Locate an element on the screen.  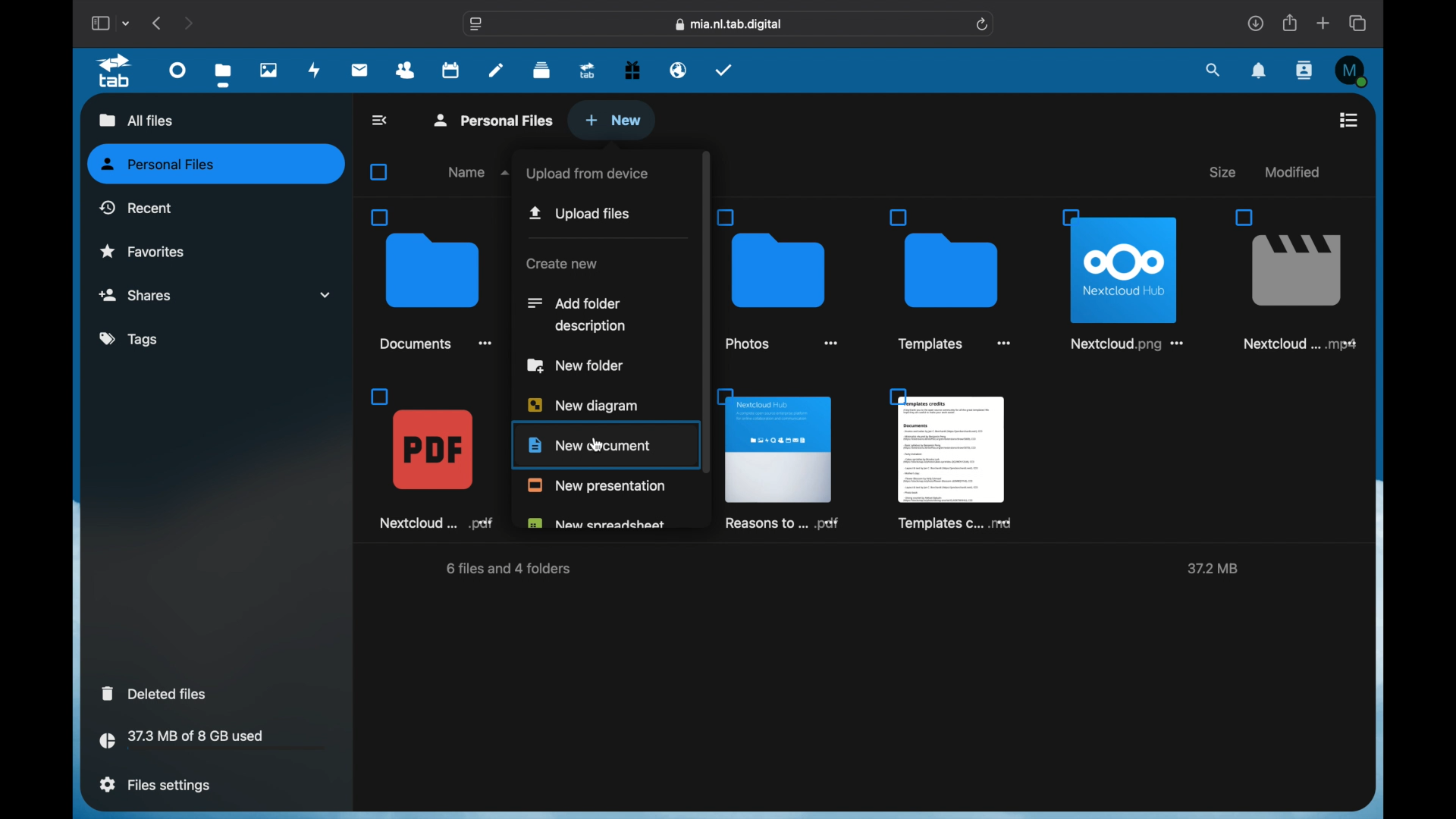
tags is located at coordinates (130, 340).